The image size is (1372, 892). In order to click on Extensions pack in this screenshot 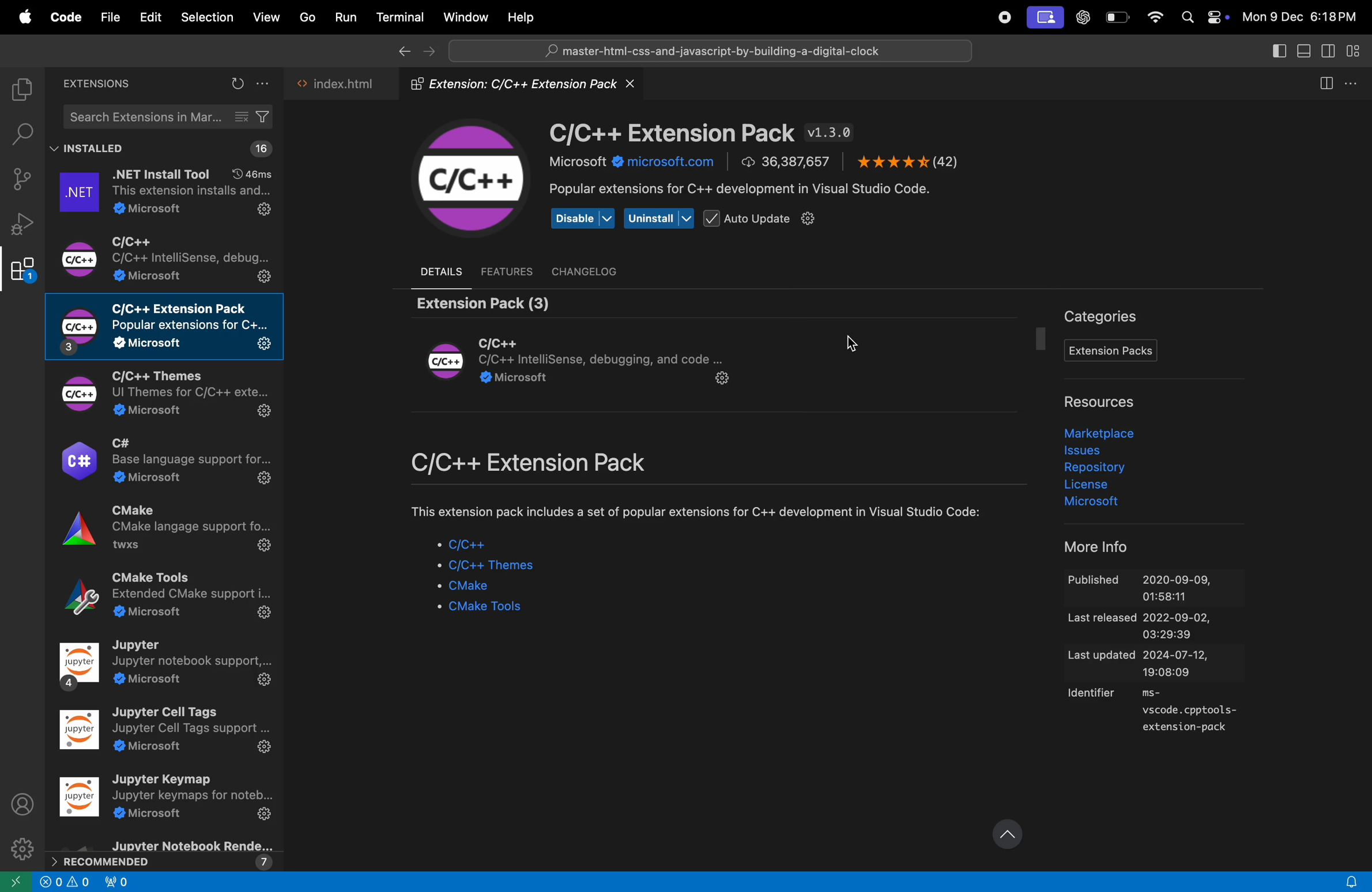, I will do `click(1111, 351)`.